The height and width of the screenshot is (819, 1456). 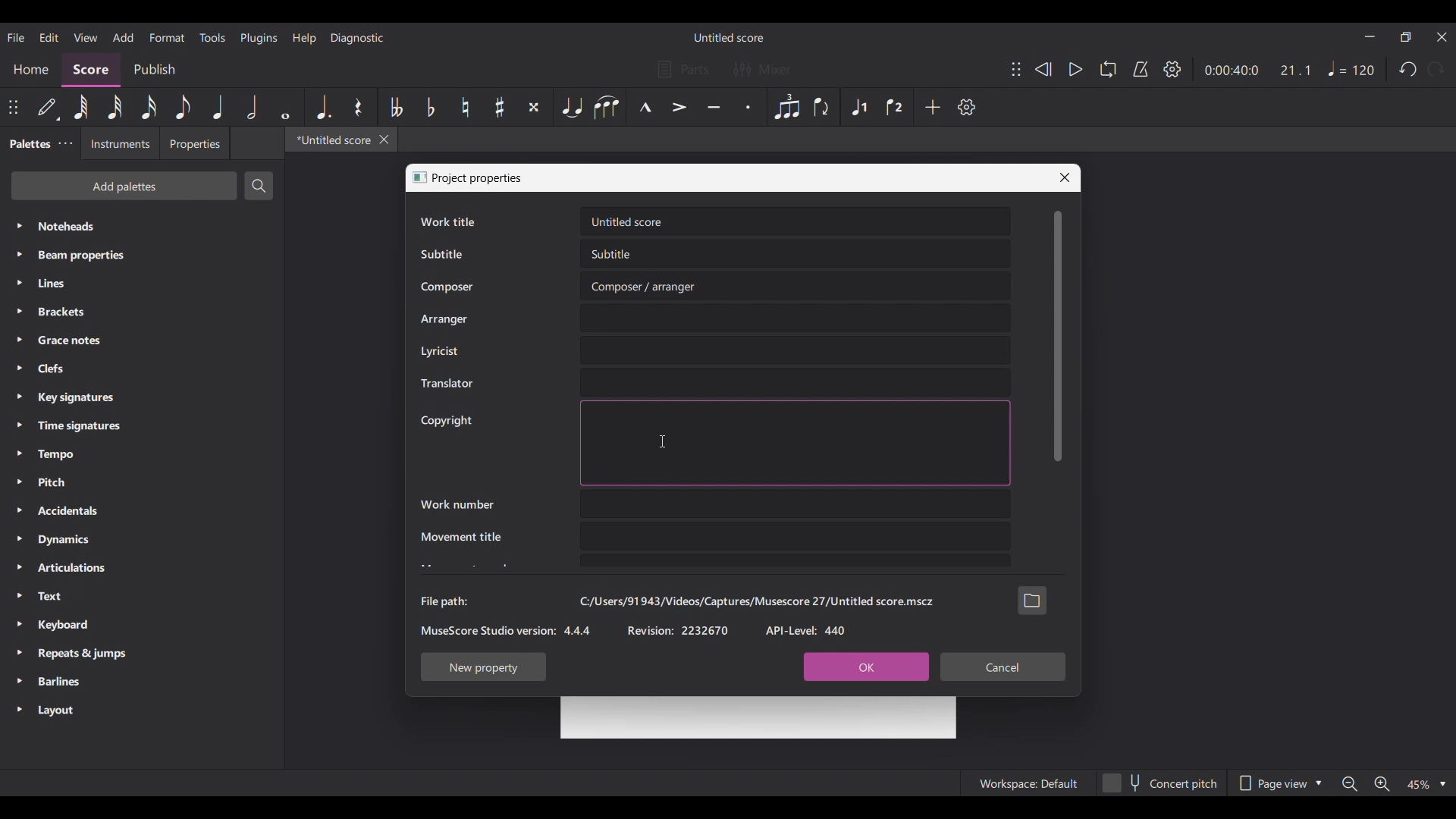 I want to click on Redo, so click(x=1435, y=69).